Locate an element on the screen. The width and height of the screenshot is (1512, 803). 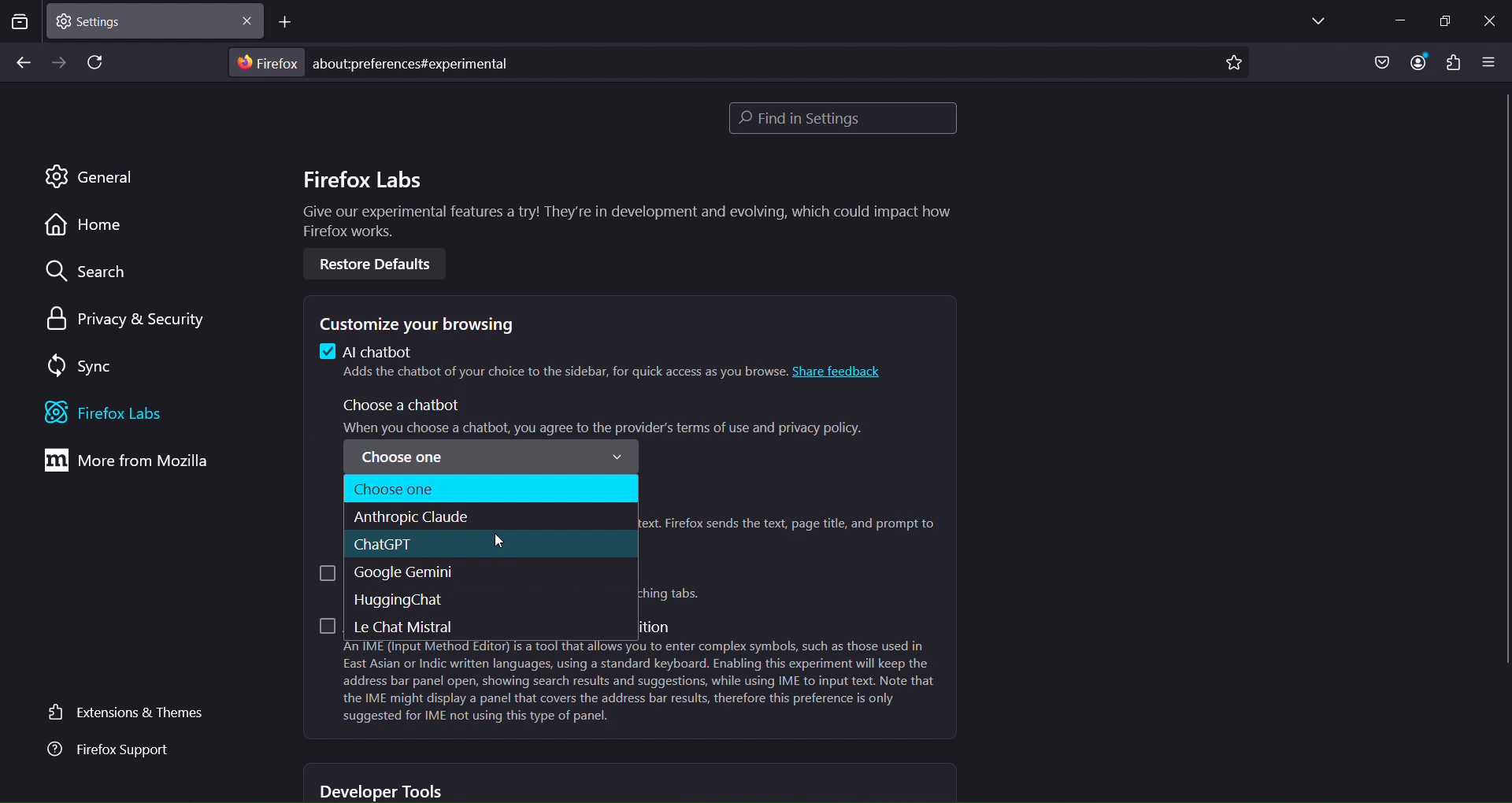
Choose a chatbot
‘When vou choose a chatbot vou aaree to the provider's terms of use and privacy policy. is located at coordinates (599, 415).